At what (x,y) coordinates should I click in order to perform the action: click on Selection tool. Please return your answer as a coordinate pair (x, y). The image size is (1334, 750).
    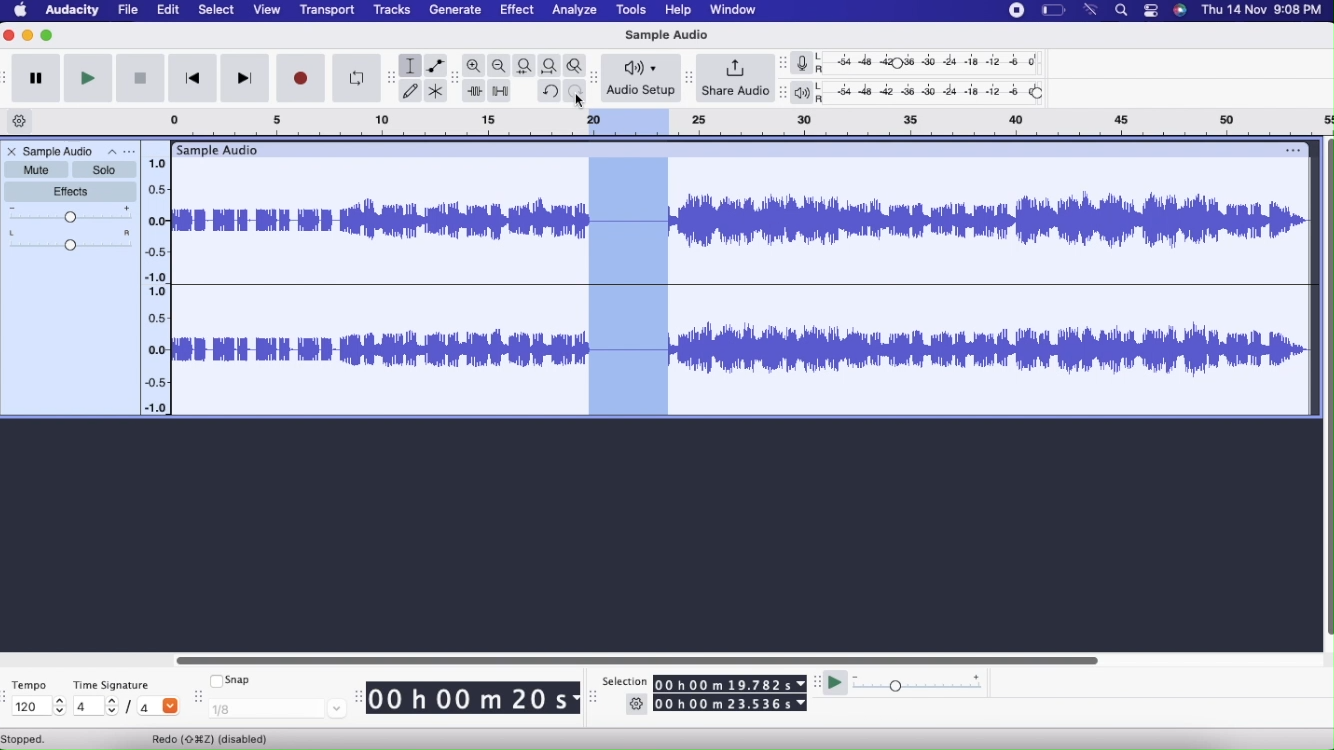
    Looking at the image, I should click on (409, 66).